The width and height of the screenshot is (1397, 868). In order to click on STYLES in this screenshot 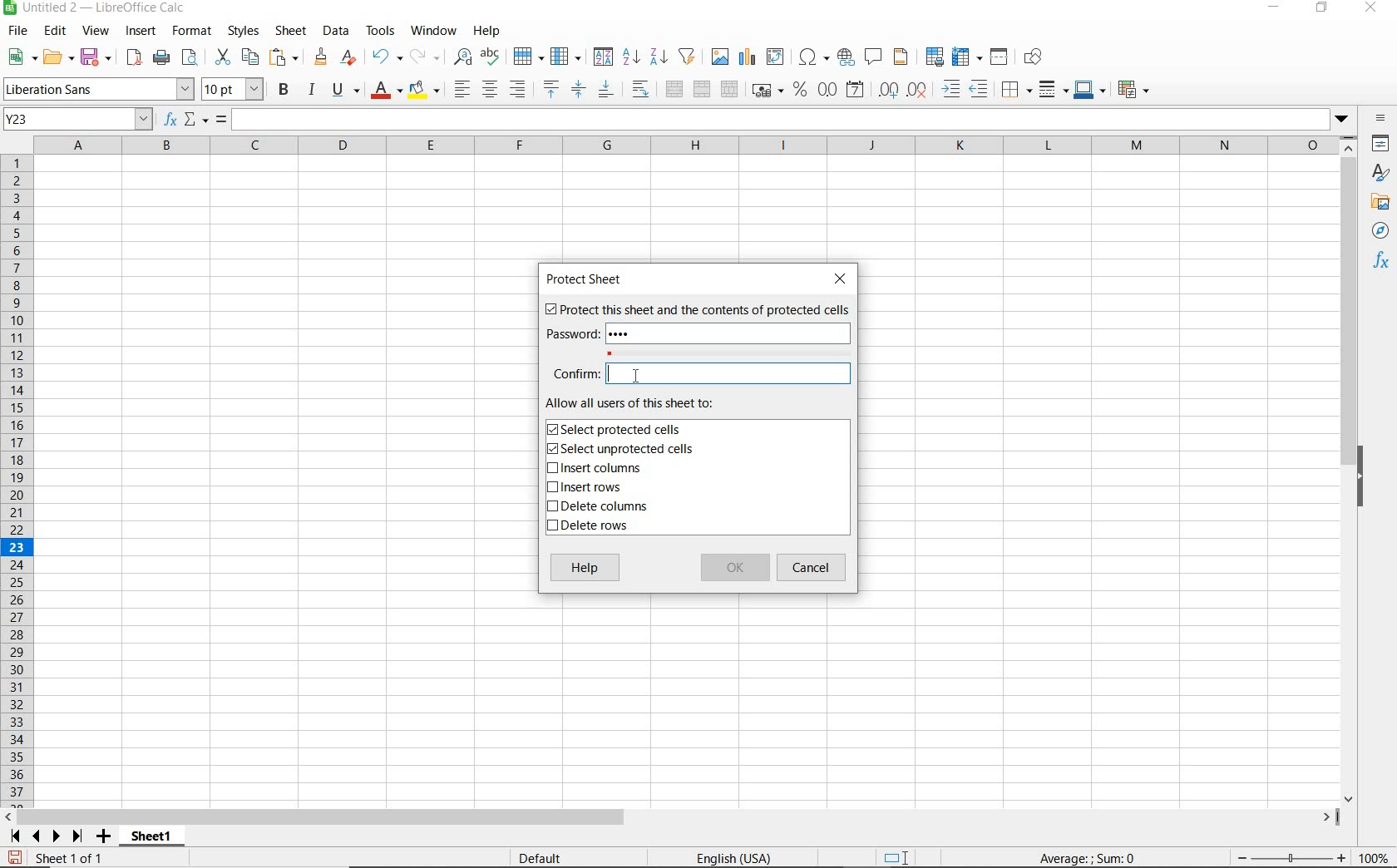, I will do `click(243, 31)`.